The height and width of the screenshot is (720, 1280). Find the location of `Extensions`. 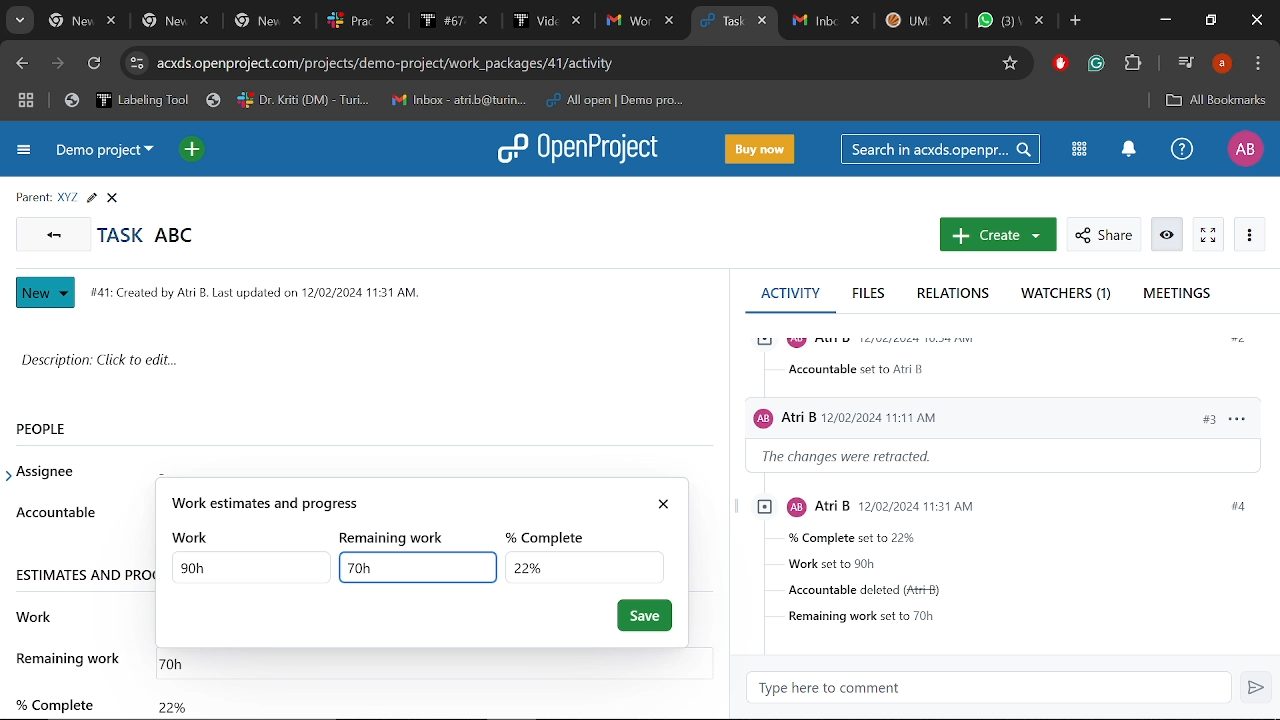

Extensions is located at coordinates (1135, 64).